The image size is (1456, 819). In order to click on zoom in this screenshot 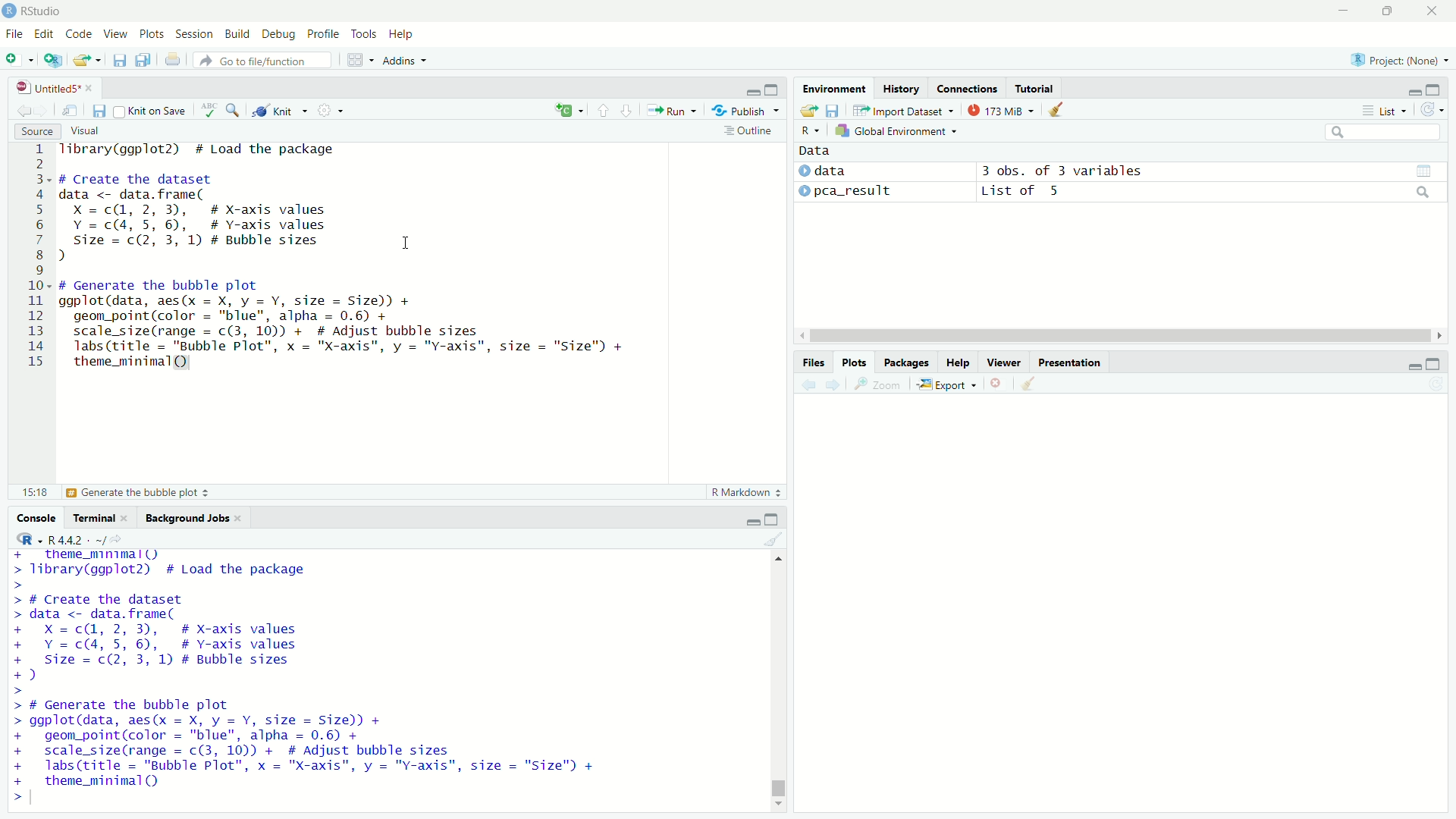, I will do `click(879, 385)`.